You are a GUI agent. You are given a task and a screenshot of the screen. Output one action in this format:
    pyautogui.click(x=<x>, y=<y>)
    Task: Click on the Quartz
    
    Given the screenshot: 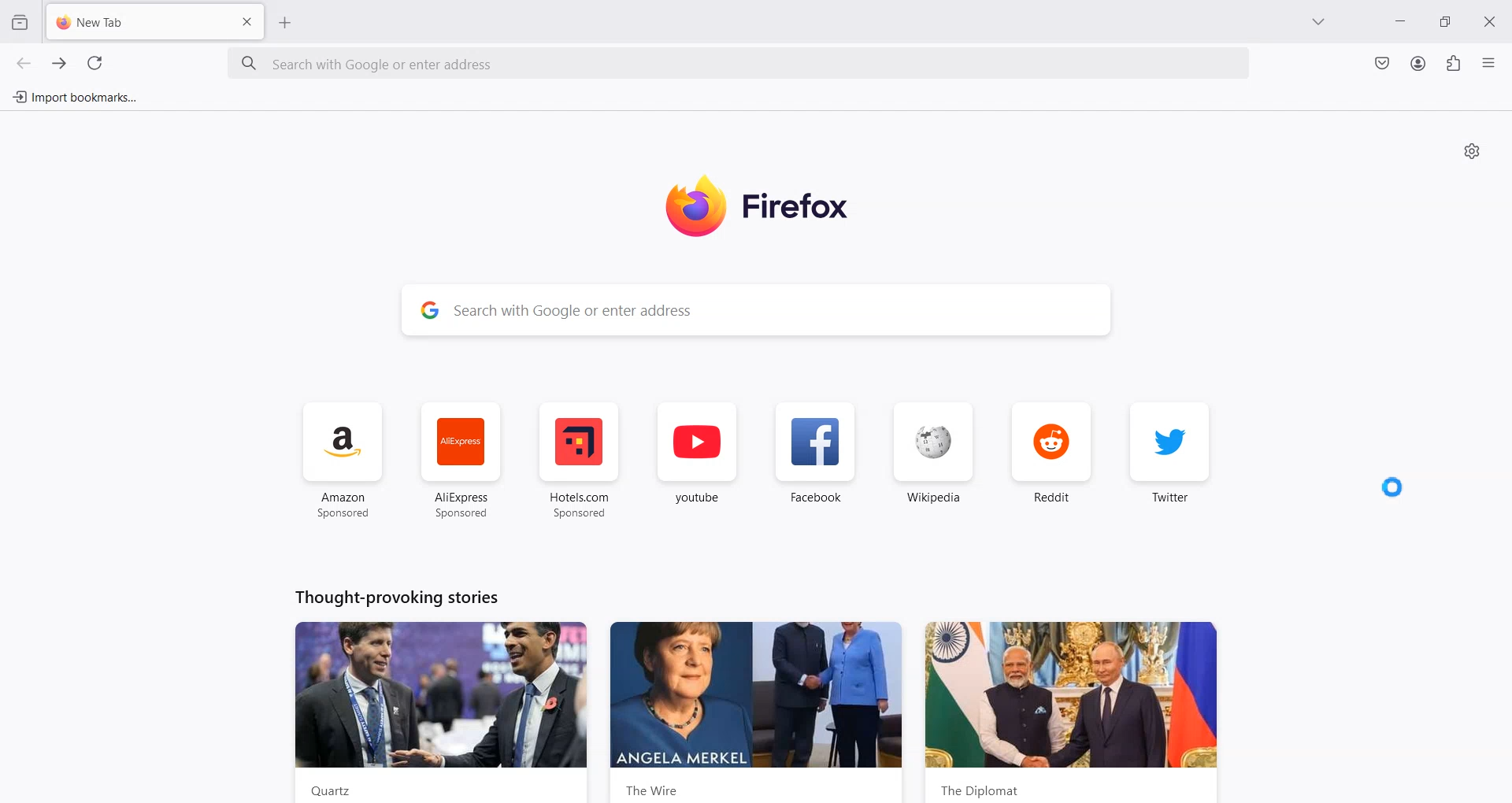 What is the action you would take?
    pyautogui.click(x=444, y=711)
    